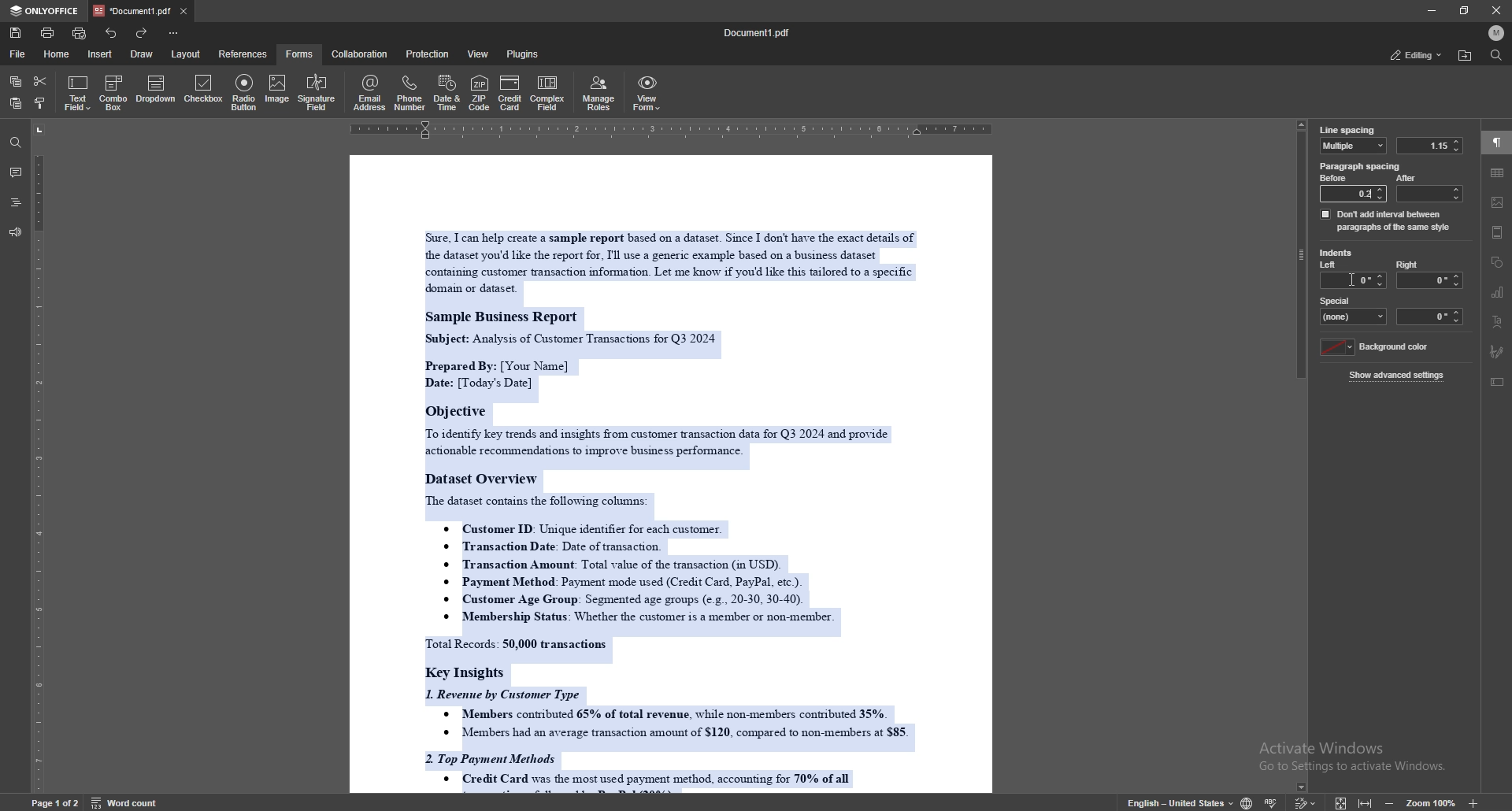 This screenshot has width=1512, height=811. I want to click on find, so click(16, 143).